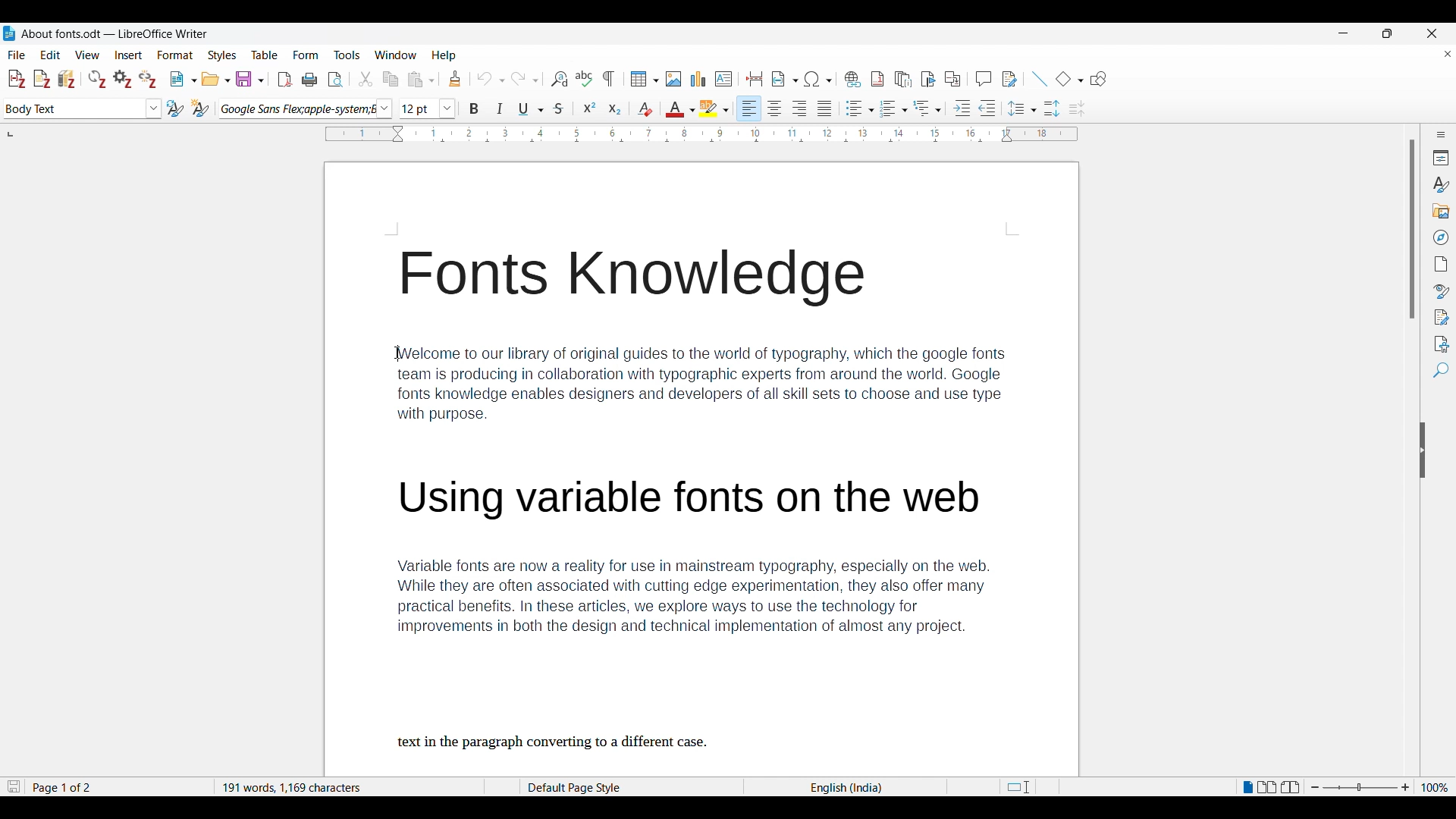  Describe the element at coordinates (748, 108) in the screenshot. I see `Left alignment` at that location.